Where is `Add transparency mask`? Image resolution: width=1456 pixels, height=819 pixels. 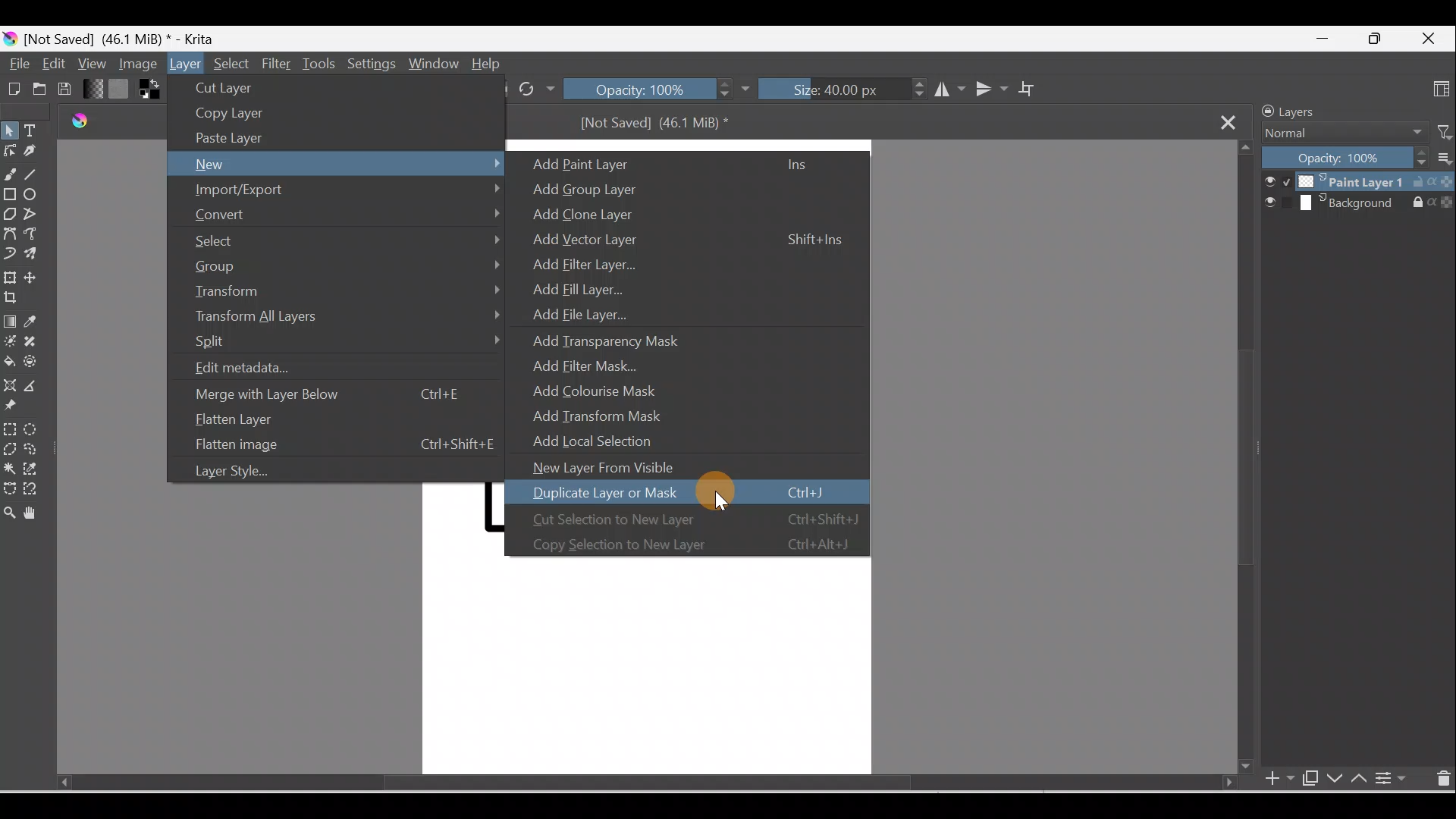 Add transparency mask is located at coordinates (607, 337).